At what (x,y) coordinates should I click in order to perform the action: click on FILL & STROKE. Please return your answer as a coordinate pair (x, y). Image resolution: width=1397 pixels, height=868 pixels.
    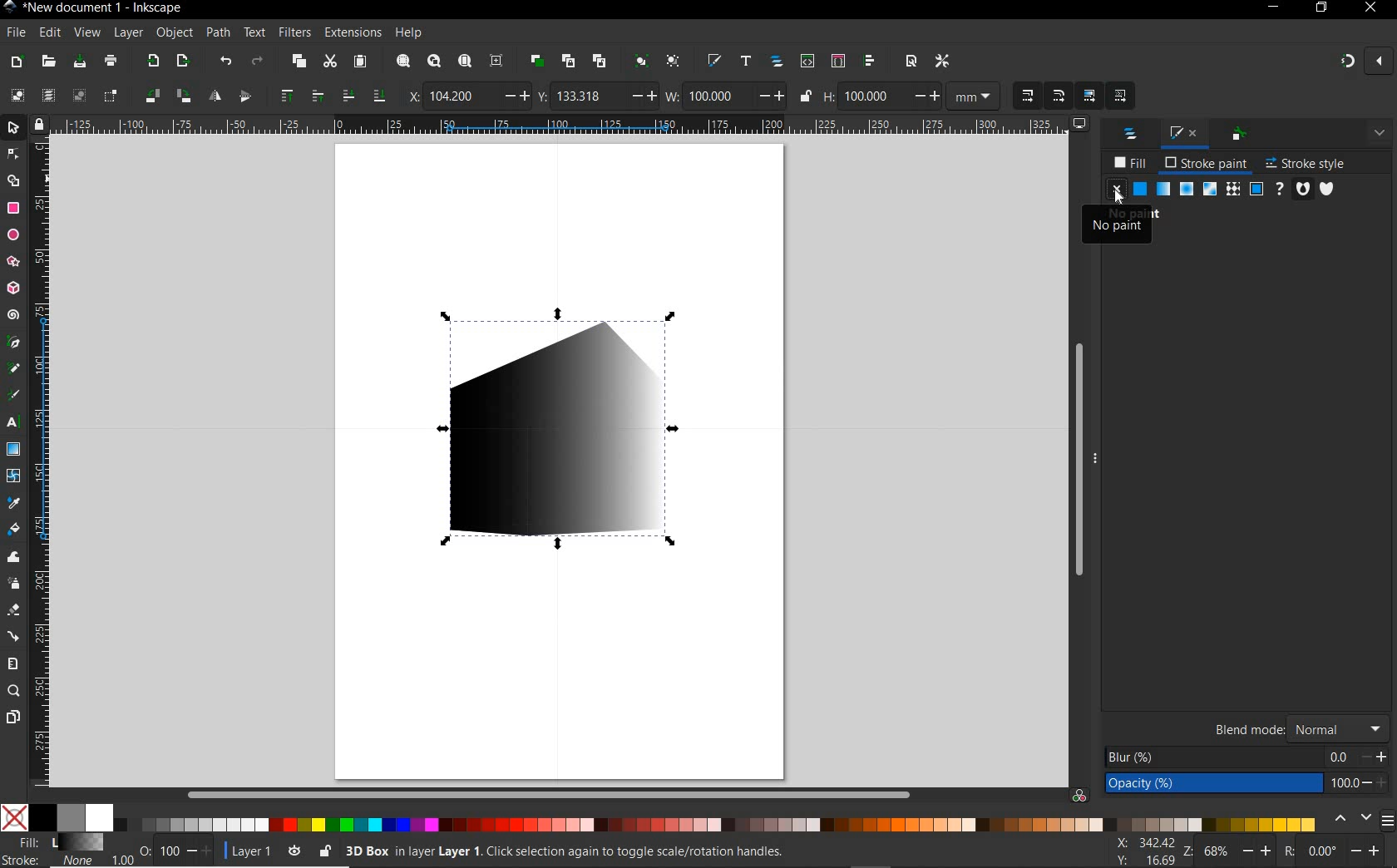
    Looking at the image, I should click on (53, 851).